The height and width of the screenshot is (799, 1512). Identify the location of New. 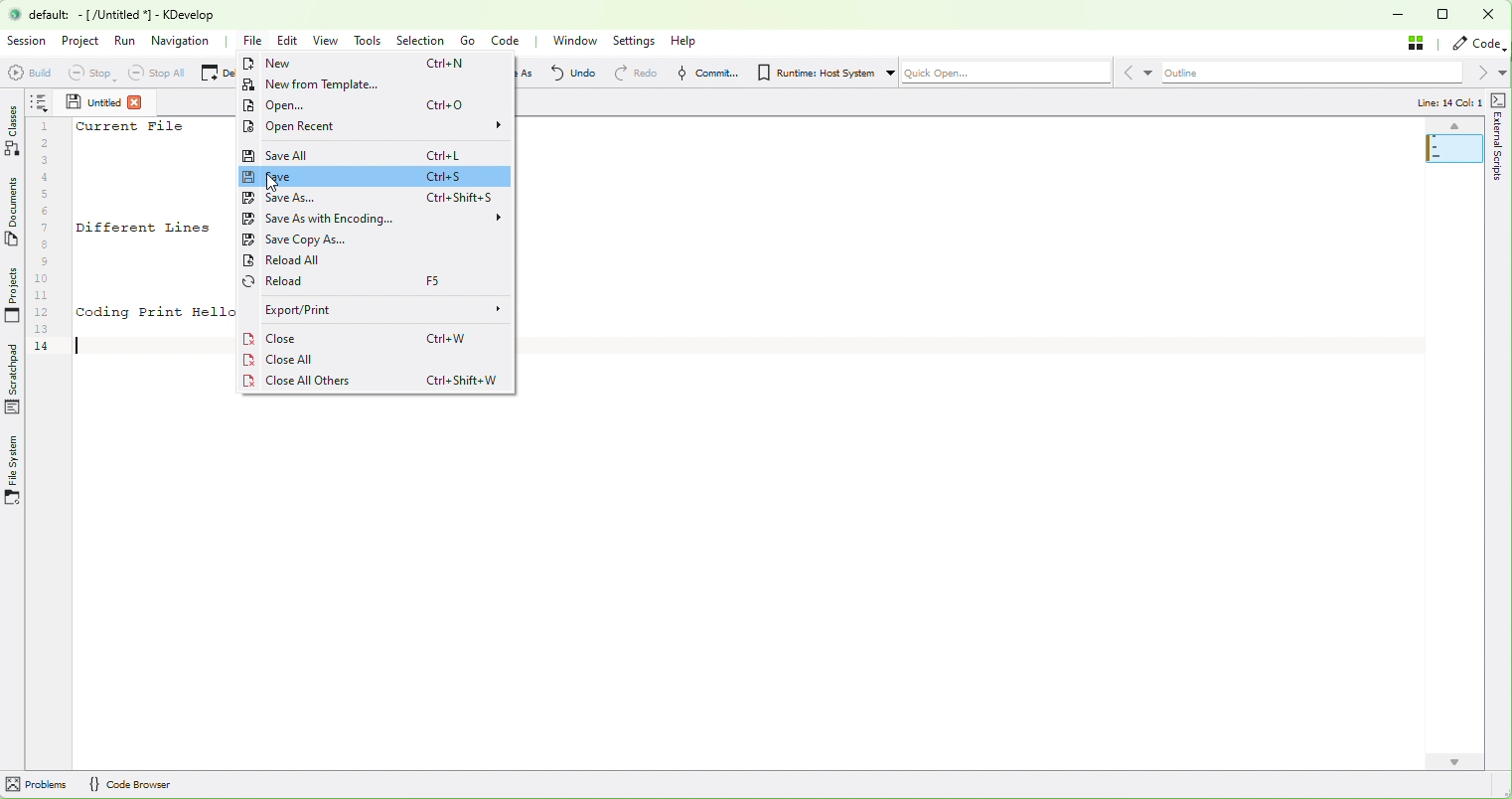
(294, 64).